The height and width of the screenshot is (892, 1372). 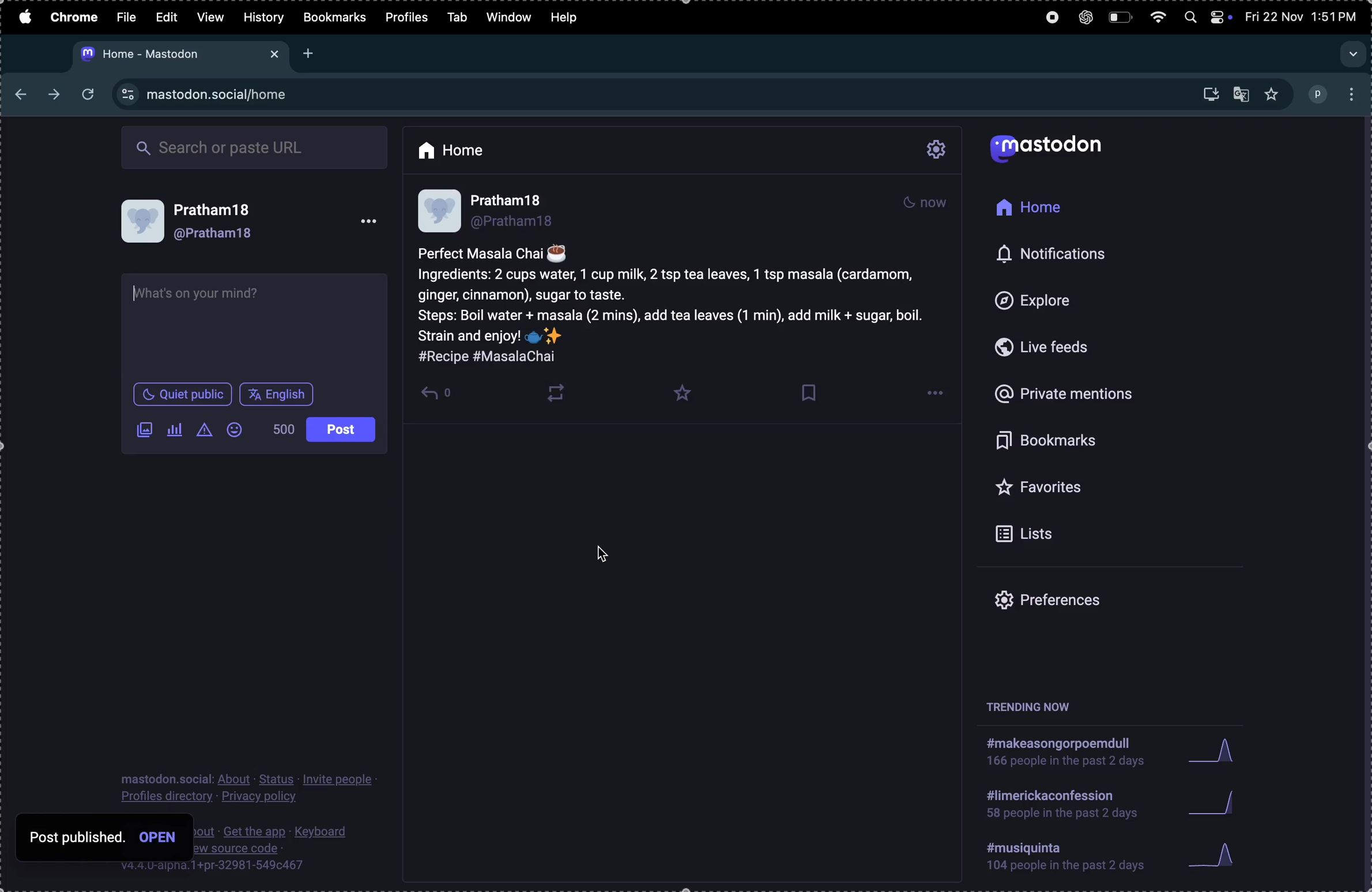 I want to click on battery, so click(x=1118, y=16).